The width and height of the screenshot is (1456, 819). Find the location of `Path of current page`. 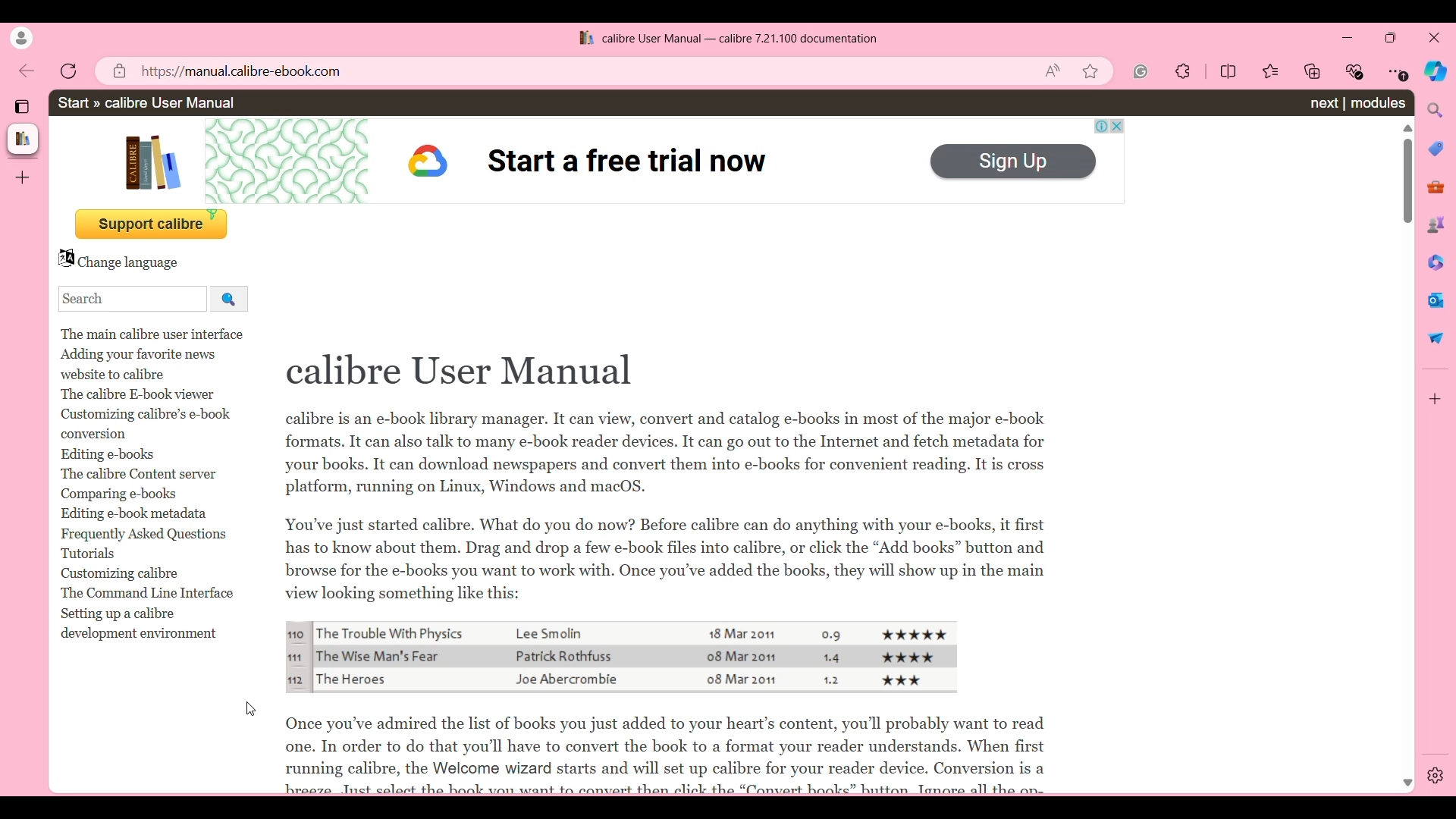

Path of current page is located at coordinates (145, 102).